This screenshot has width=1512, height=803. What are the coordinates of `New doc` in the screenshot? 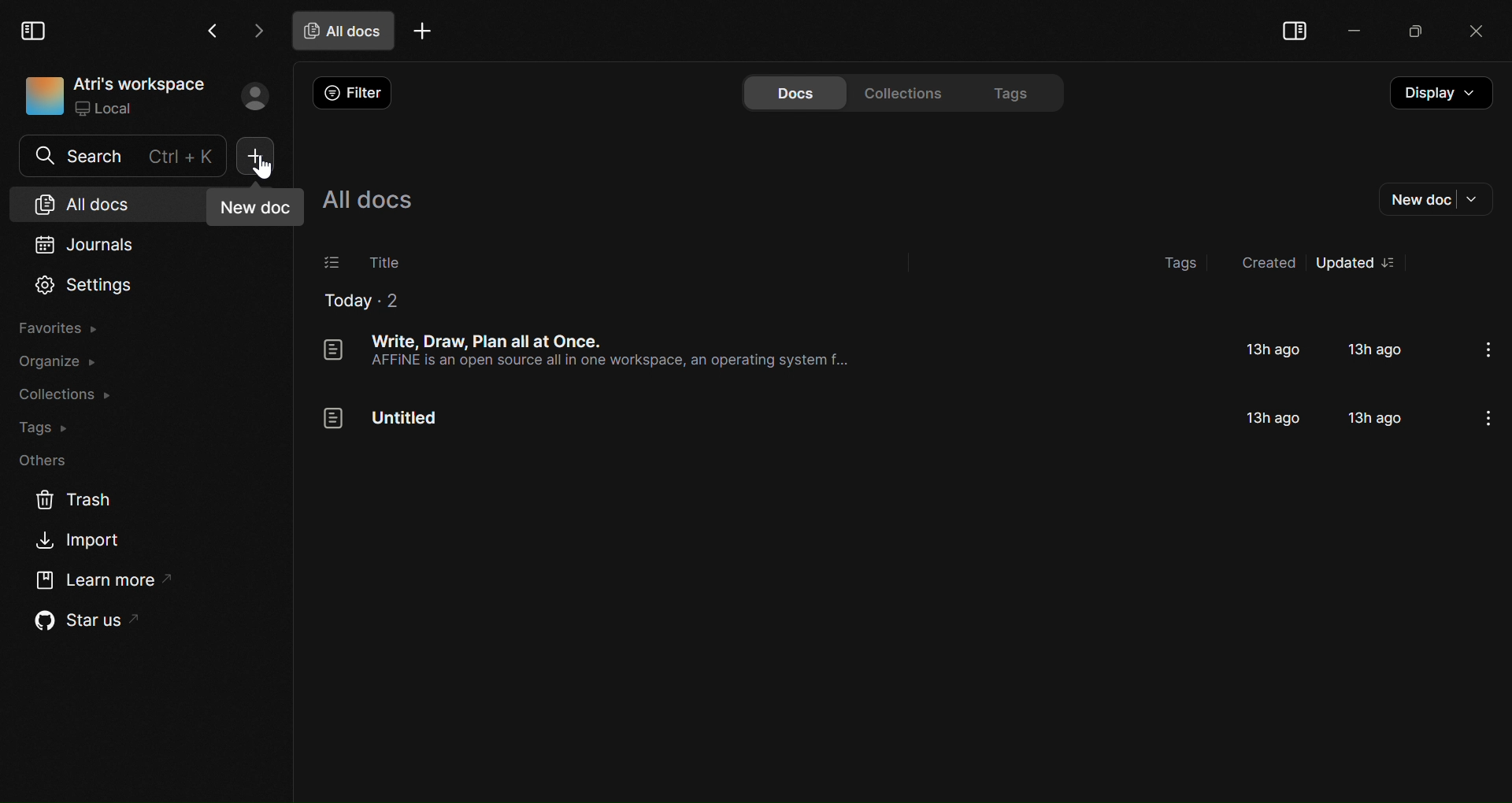 It's located at (257, 157).